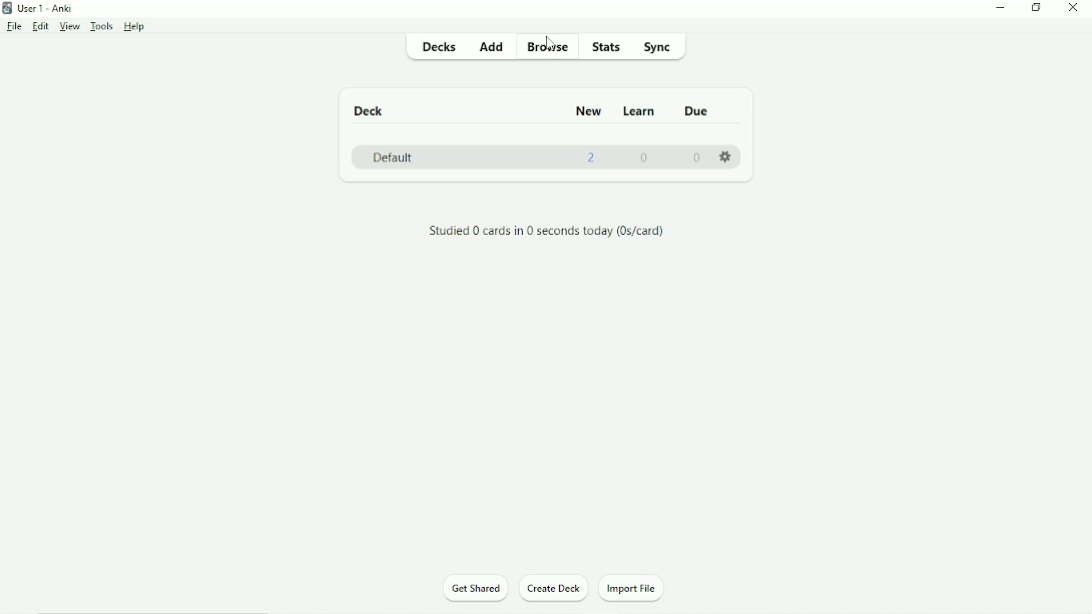 Image resolution: width=1092 pixels, height=614 pixels. What do you see at coordinates (555, 590) in the screenshot?
I see `Create Deck` at bounding box center [555, 590].